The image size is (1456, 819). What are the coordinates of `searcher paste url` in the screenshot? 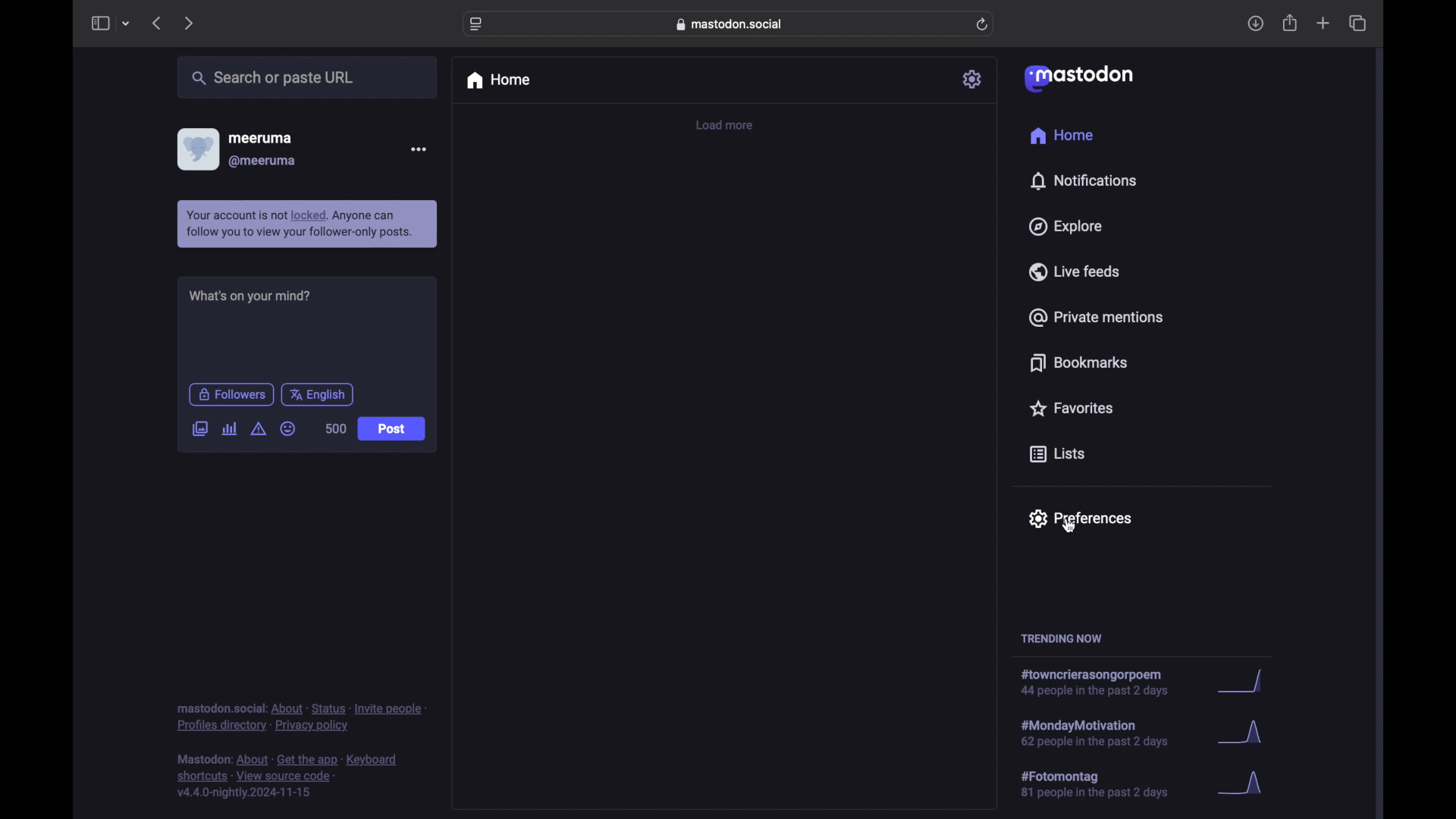 It's located at (273, 78).